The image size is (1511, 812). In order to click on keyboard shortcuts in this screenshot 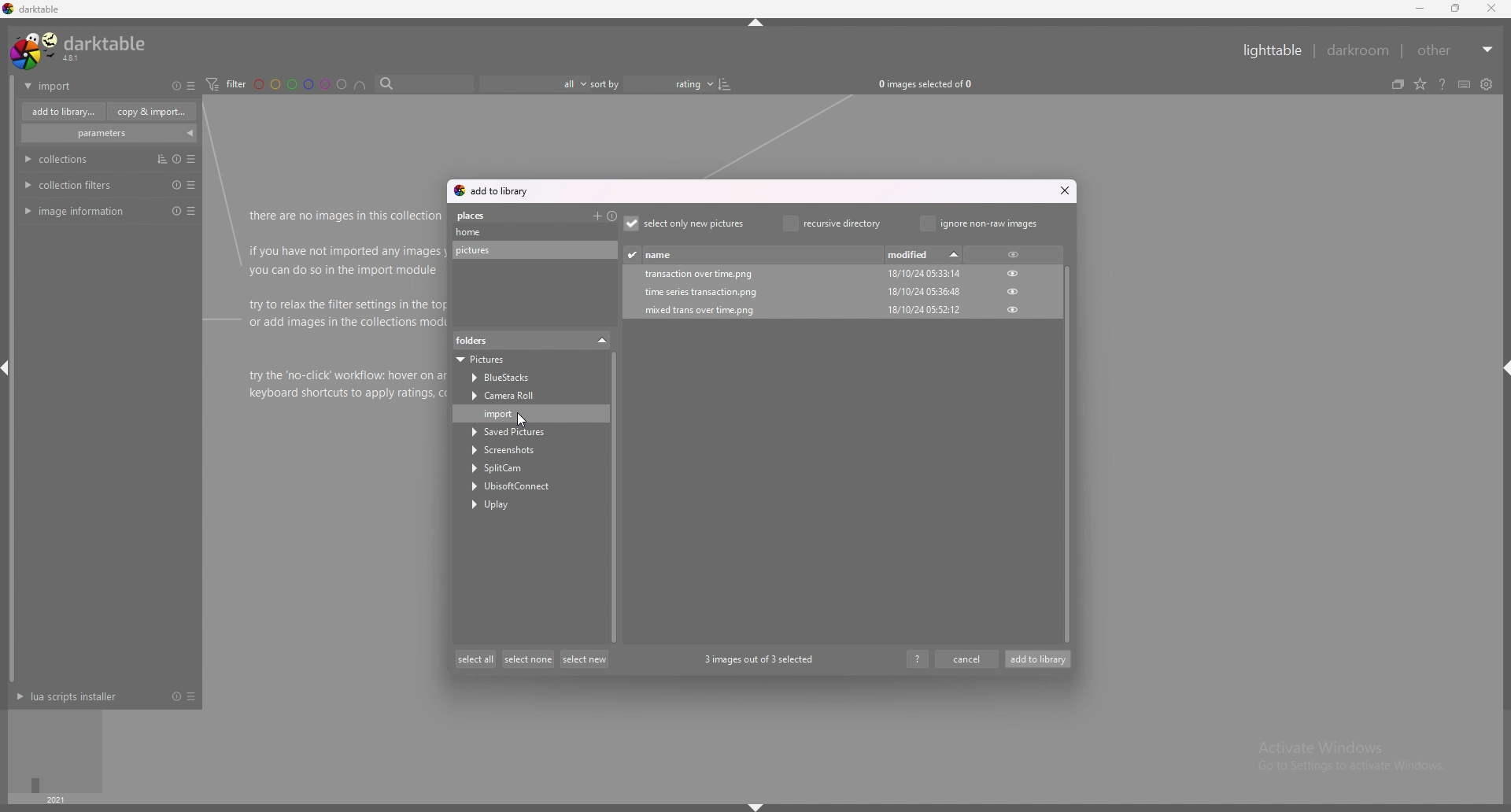, I will do `click(1465, 85)`.